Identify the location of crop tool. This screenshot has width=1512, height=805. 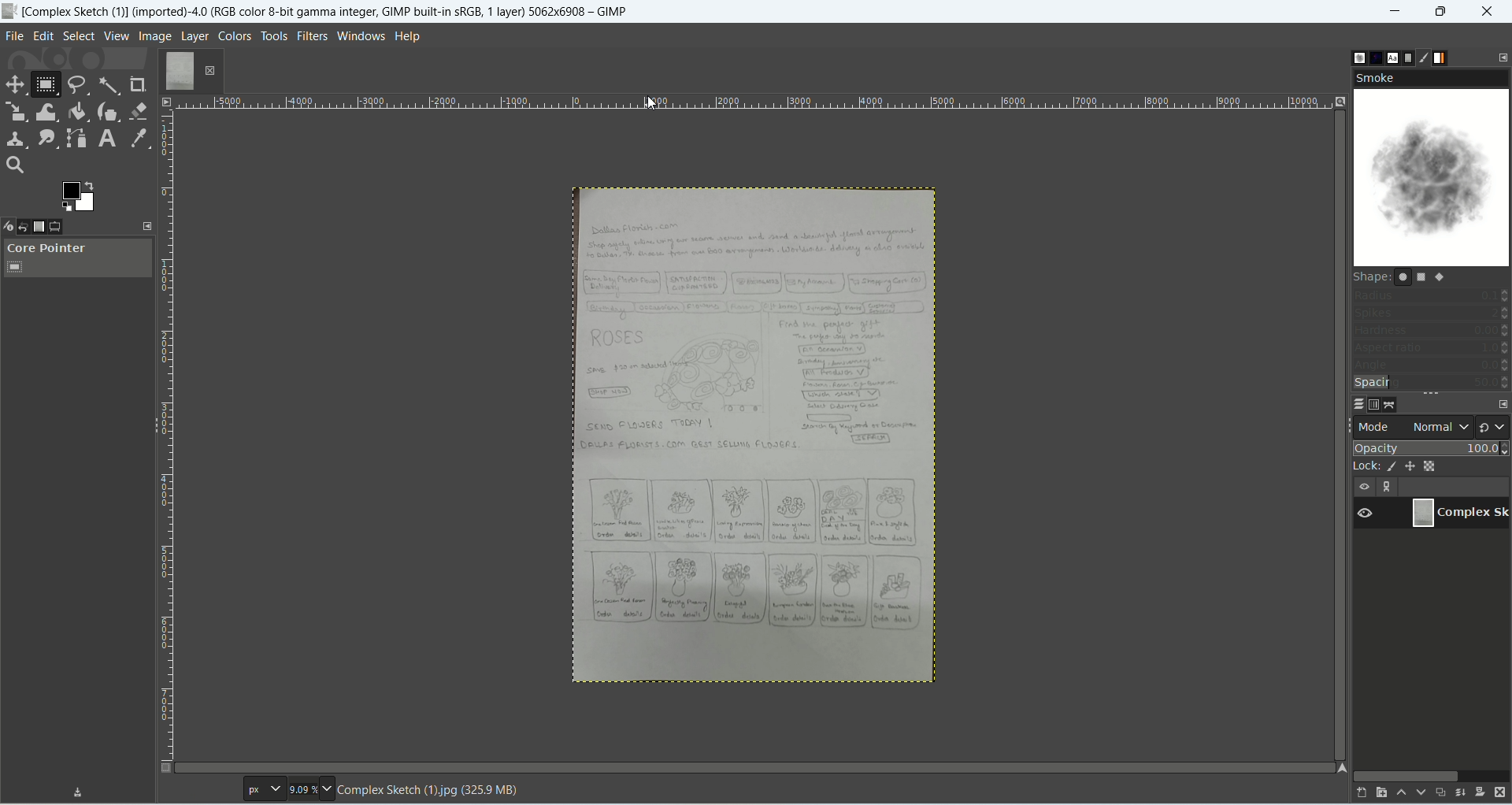
(135, 84).